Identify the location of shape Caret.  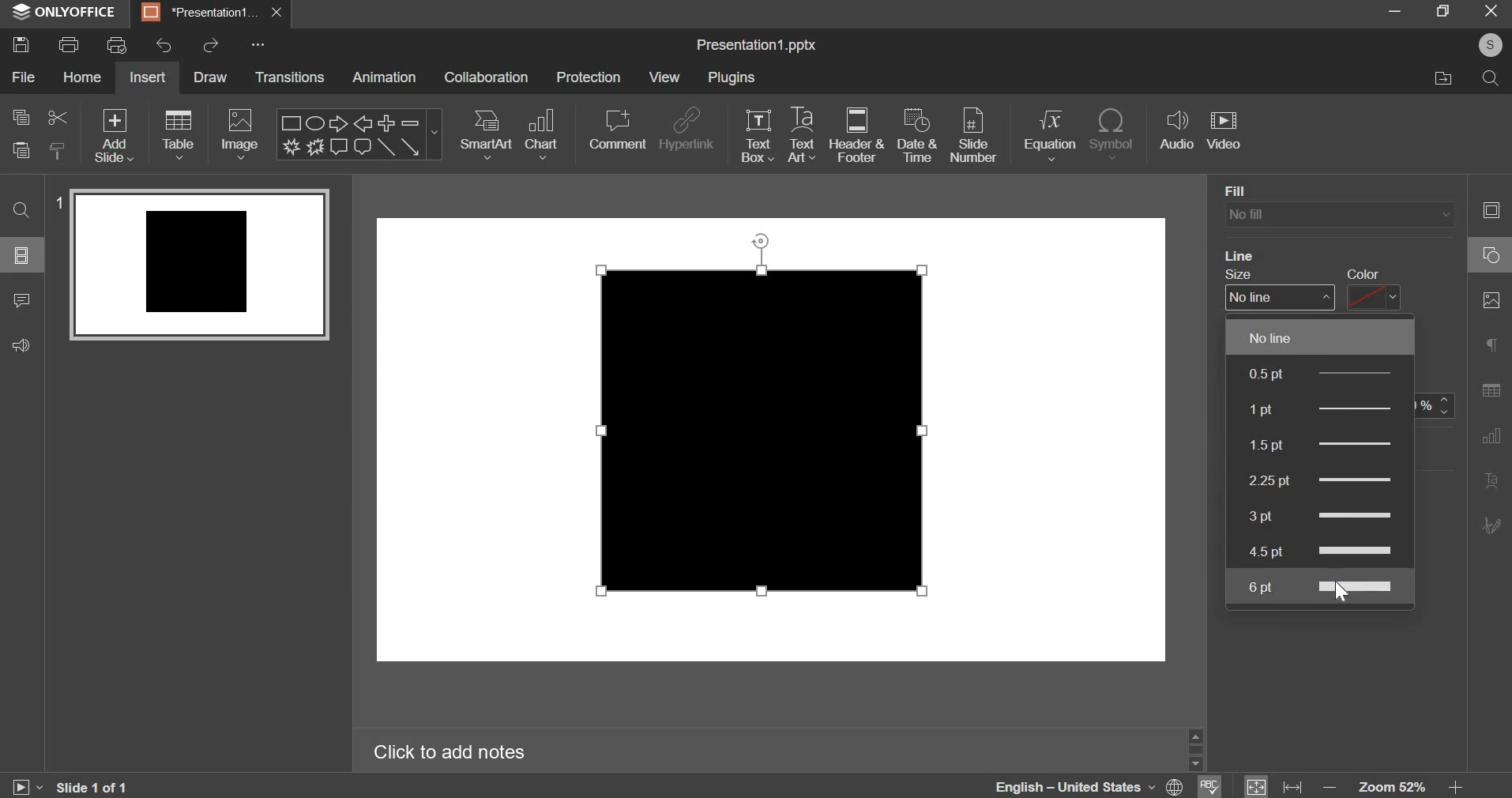
(434, 136).